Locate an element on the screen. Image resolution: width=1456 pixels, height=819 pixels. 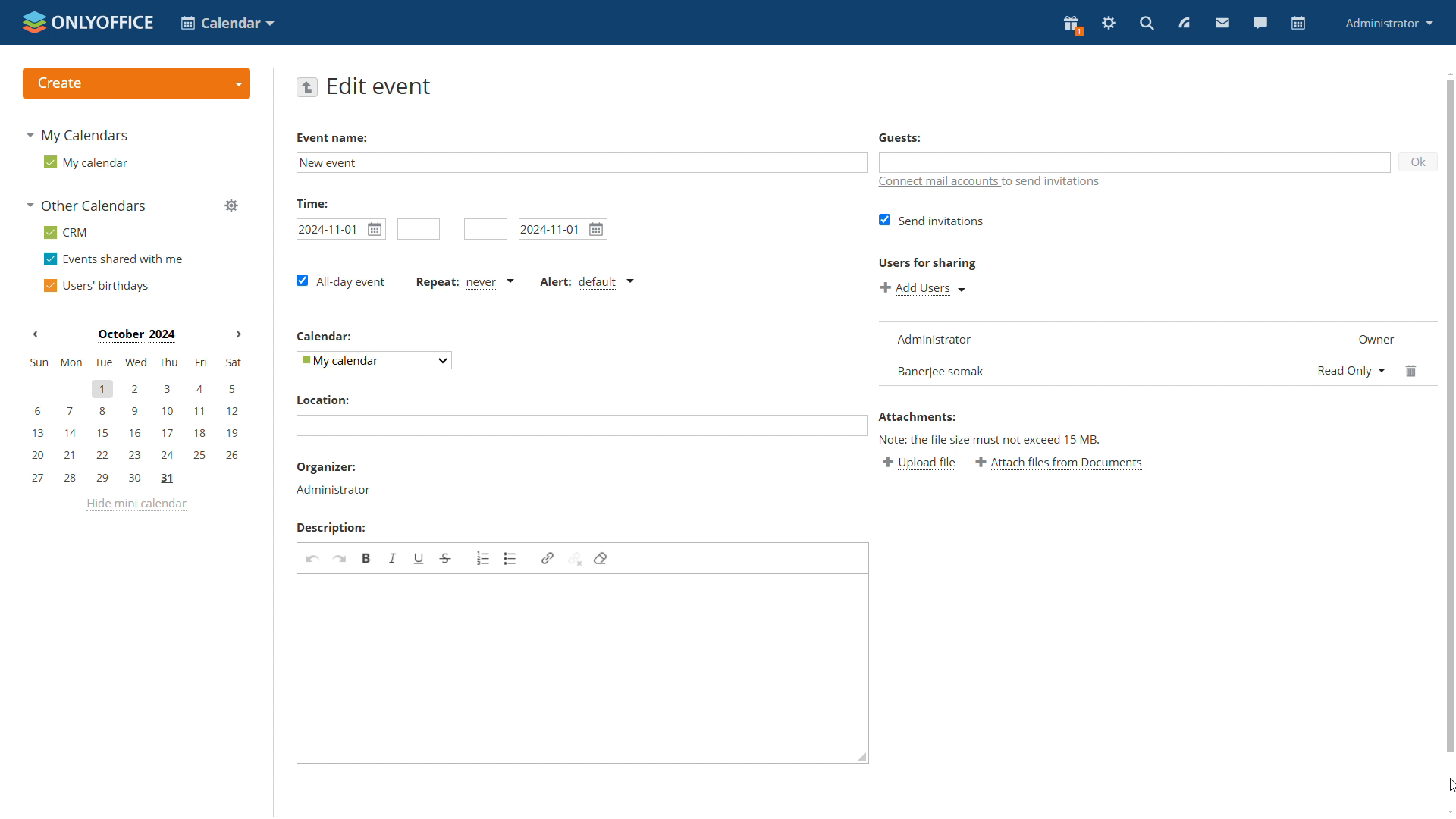
strikethrough is located at coordinates (445, 560).